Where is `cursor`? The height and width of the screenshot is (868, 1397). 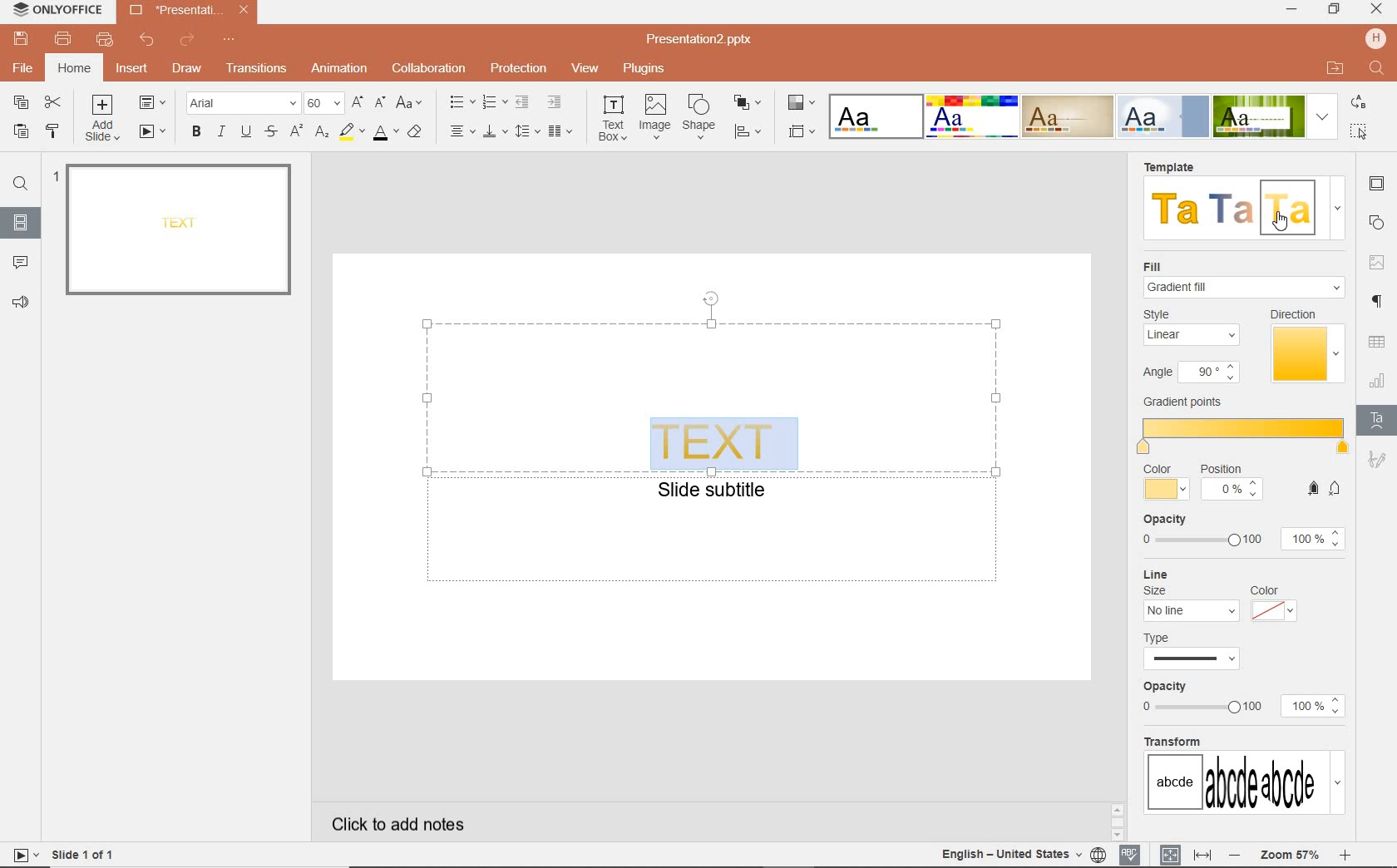
cursor is located at coordinates (1277, 223).